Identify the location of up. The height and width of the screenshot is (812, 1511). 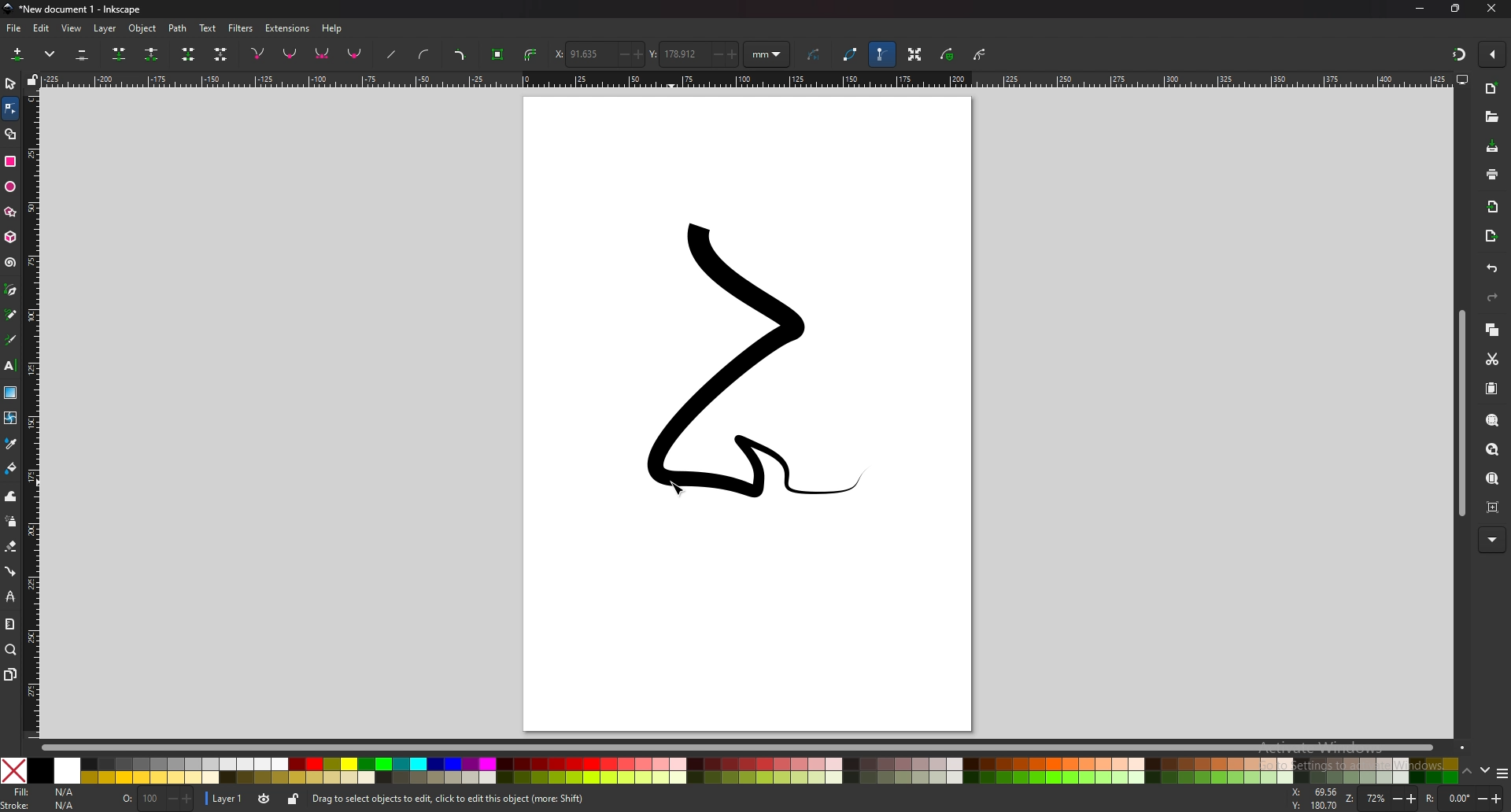
(1467, 772).